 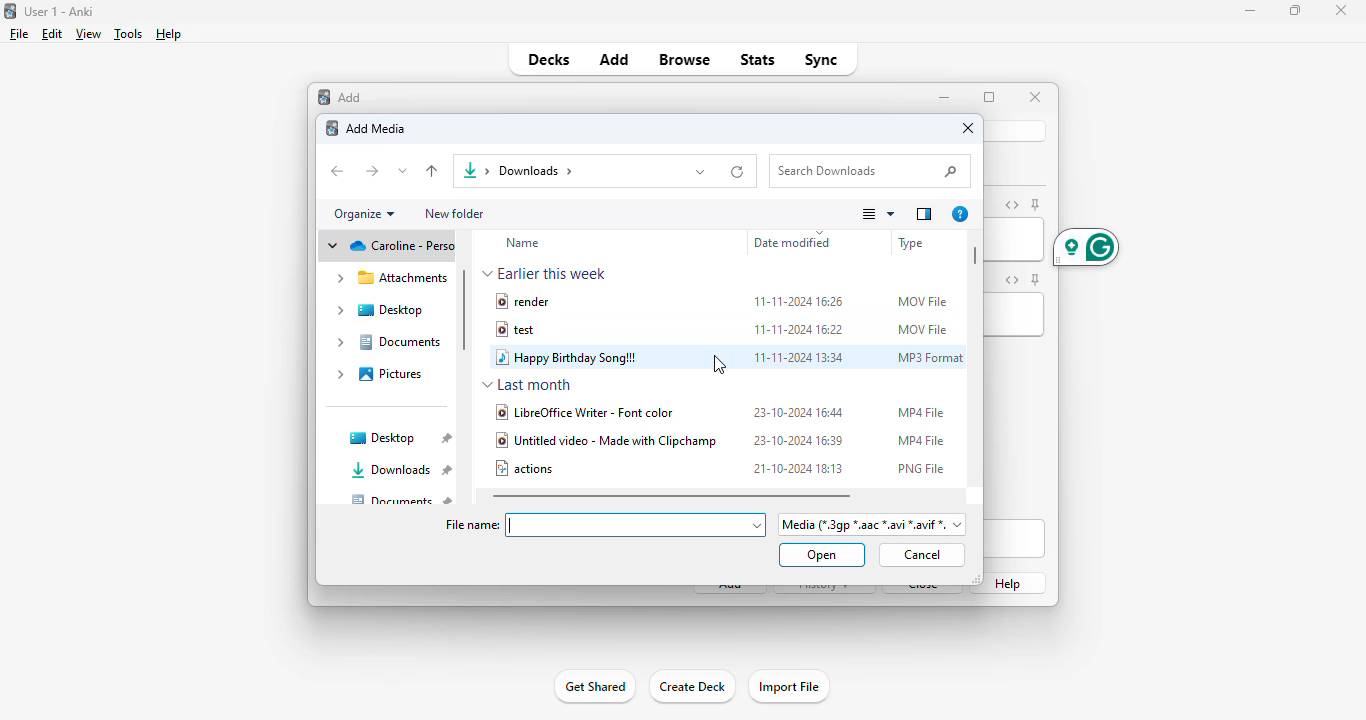 I want to click on cursor, so click(x=719, y=365).